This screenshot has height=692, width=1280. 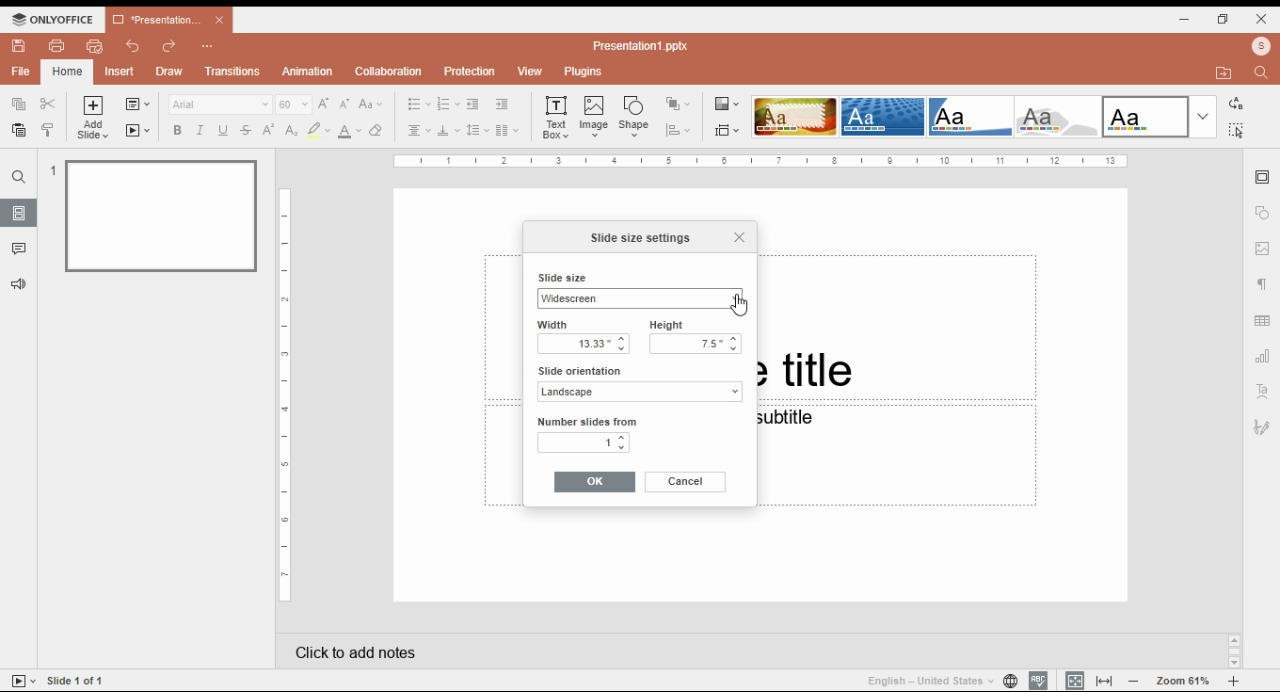 What do you see at coordinates (1235, 130) in the screenshot?
I see `find` at bounding box center [1235, 130].